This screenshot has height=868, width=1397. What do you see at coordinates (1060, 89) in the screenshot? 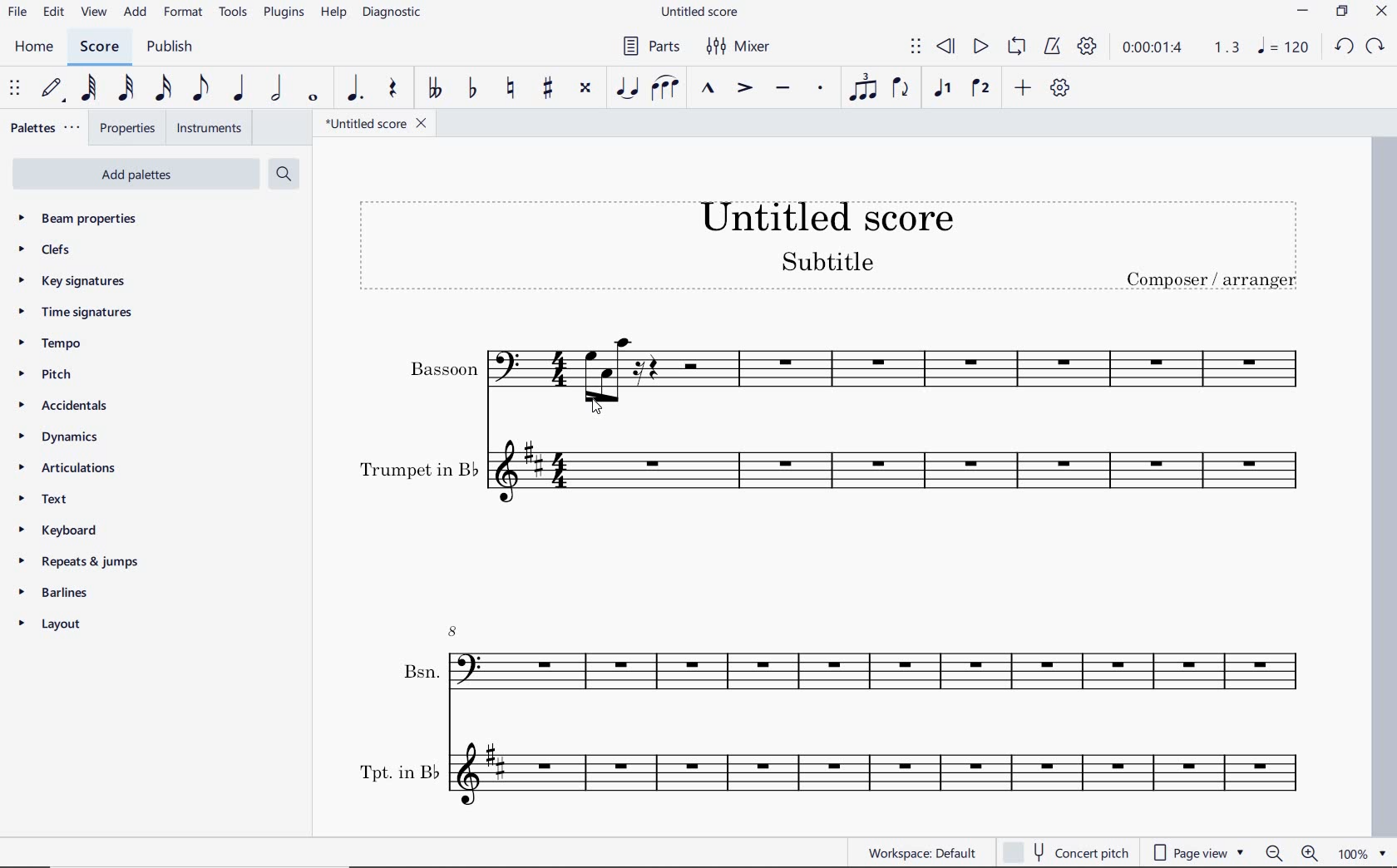
I see `customize toolbar` at bounding box center [1060, 89].